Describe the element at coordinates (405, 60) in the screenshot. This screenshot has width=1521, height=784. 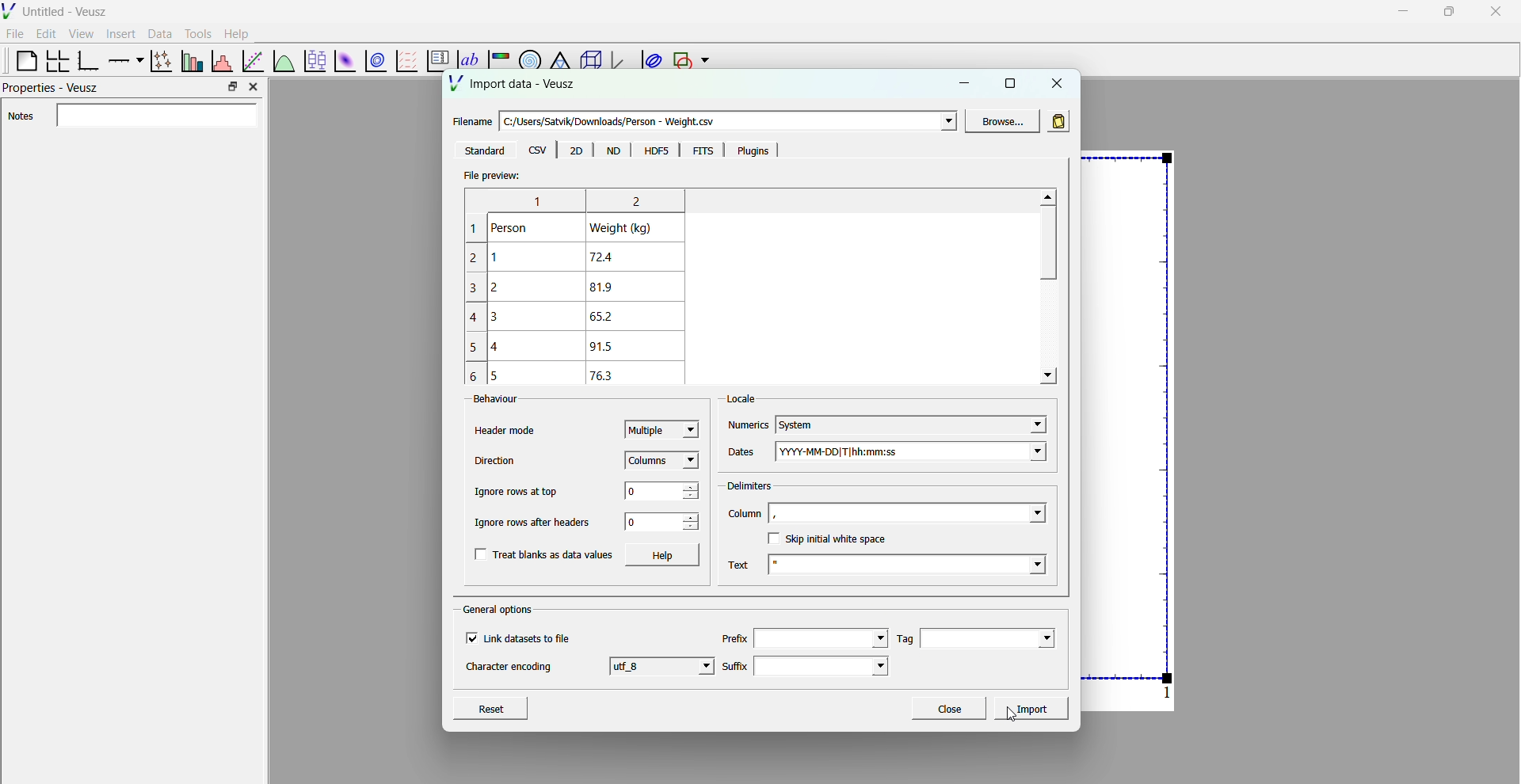
I see `plot a vector table` at that location.